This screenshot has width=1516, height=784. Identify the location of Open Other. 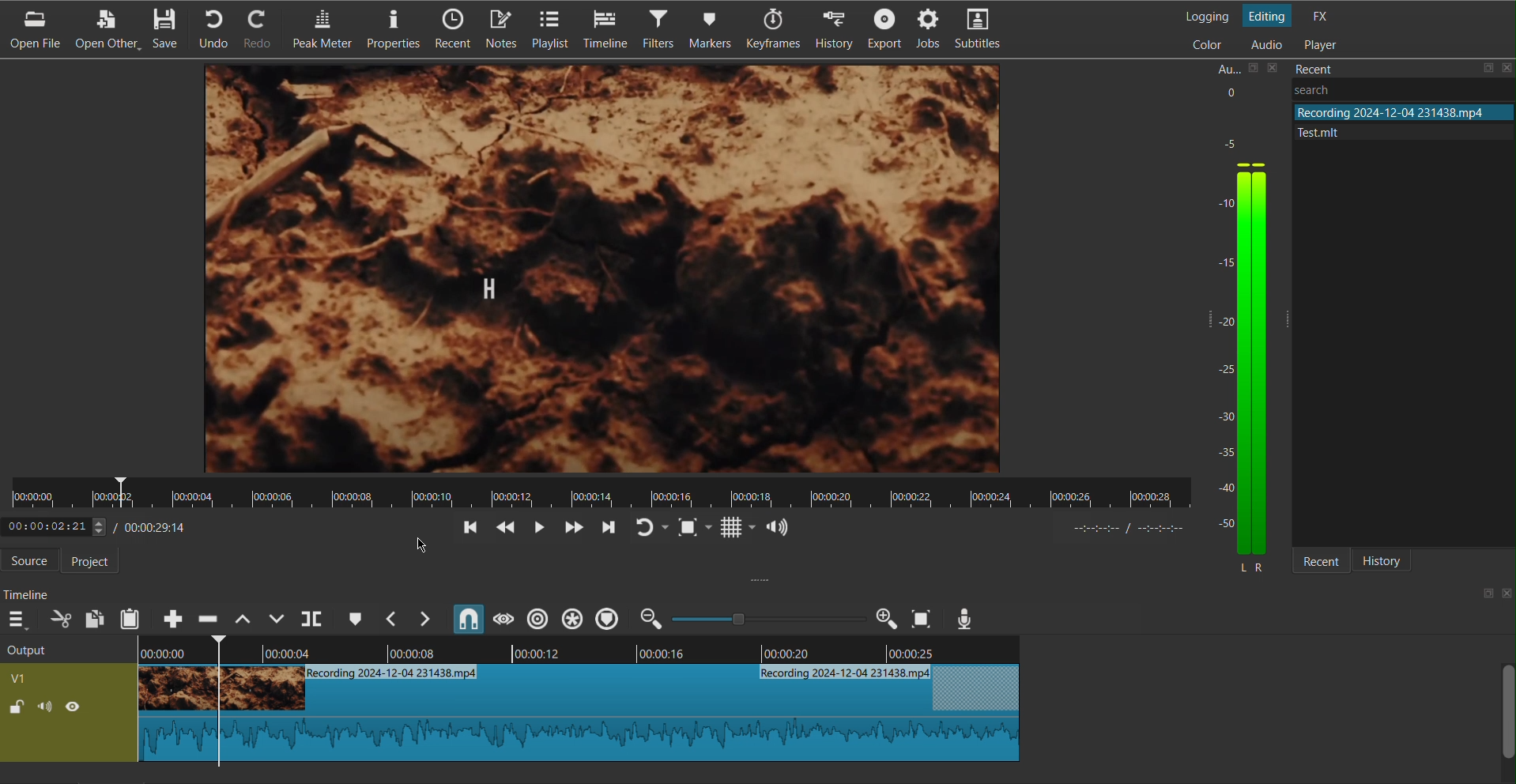
(109, 28).